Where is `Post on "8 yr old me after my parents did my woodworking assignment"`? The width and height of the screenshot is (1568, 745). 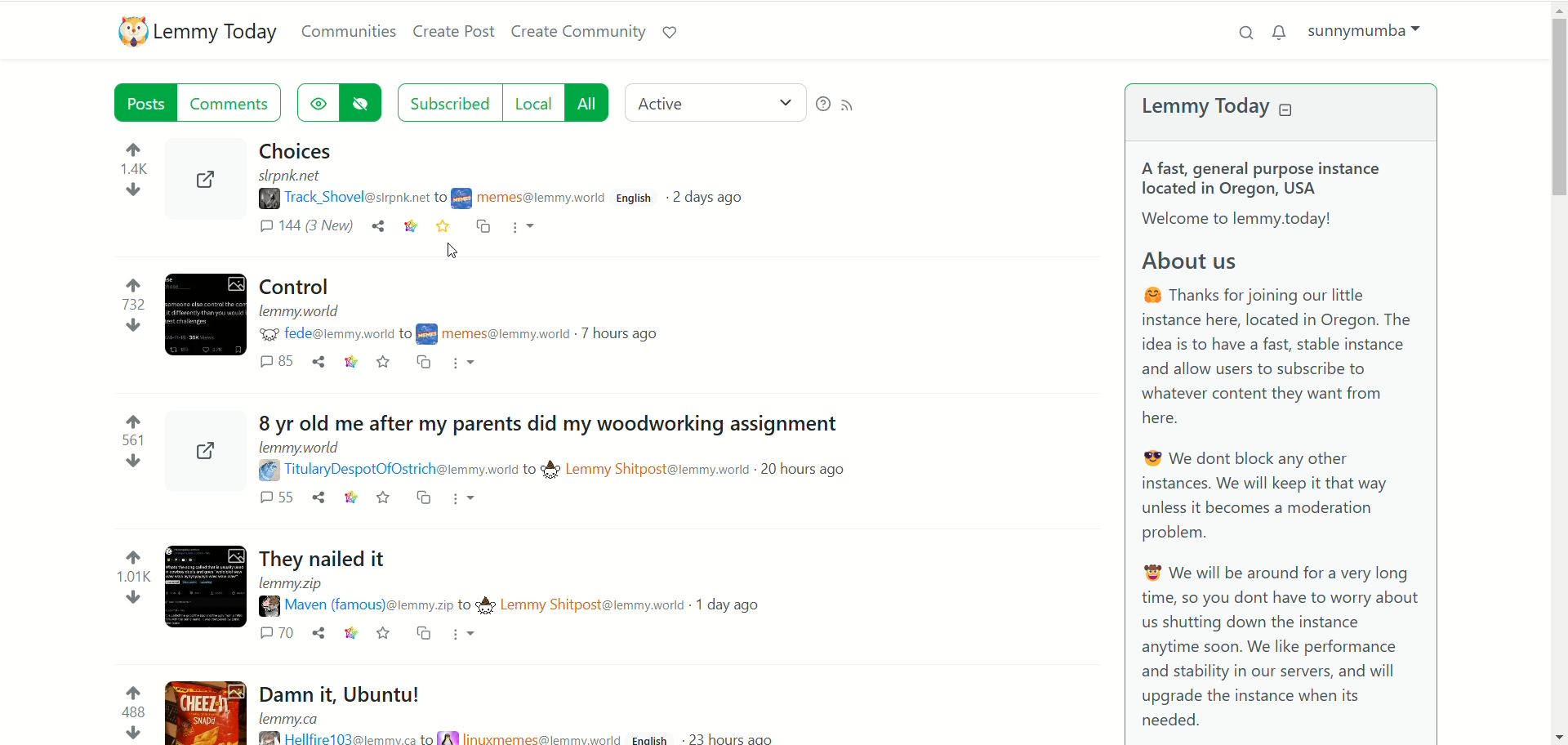
Post on "8 yr old me after my parents did my woodworking assignment" is located at coordinates (532, 429).